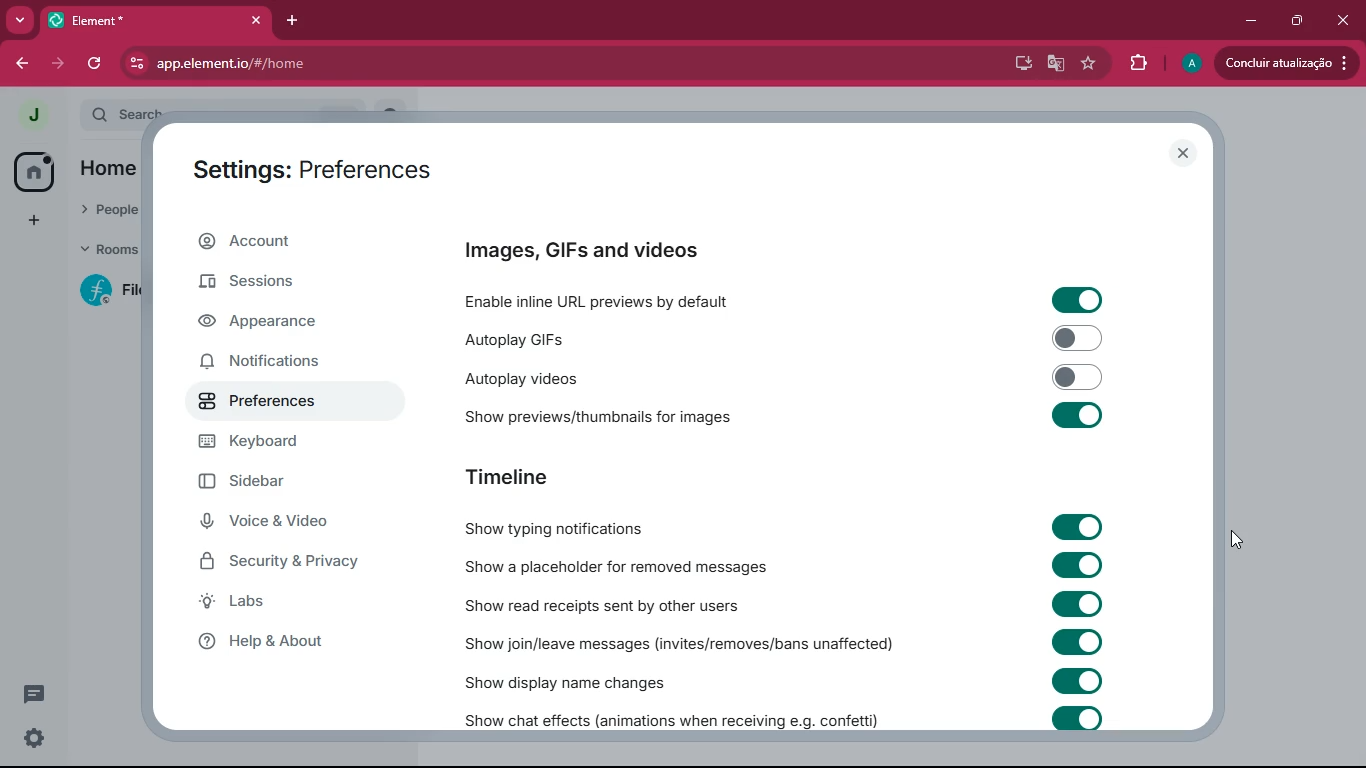  I want to click on favourite, so click(1089, 64).